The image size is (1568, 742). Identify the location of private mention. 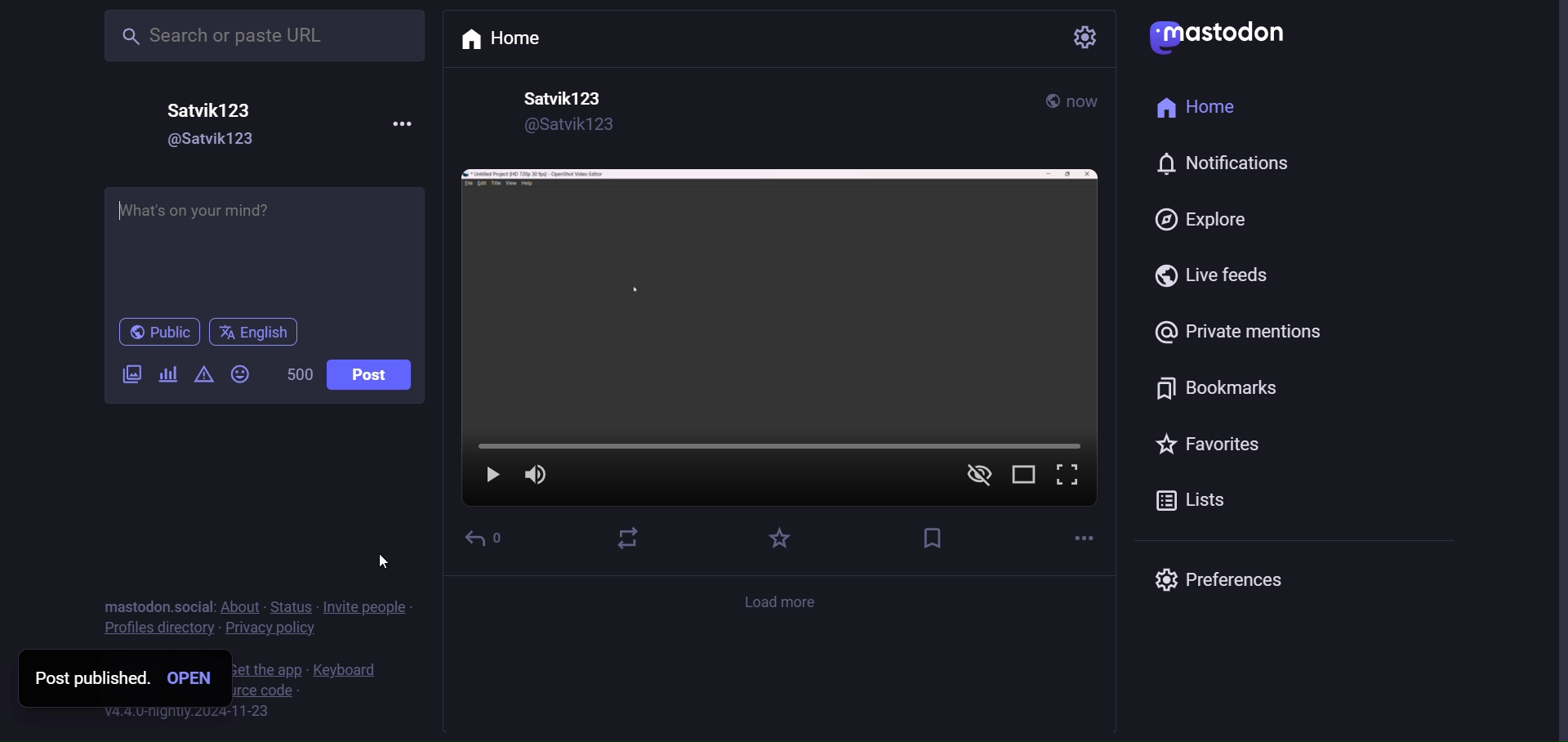
(1234, 330).